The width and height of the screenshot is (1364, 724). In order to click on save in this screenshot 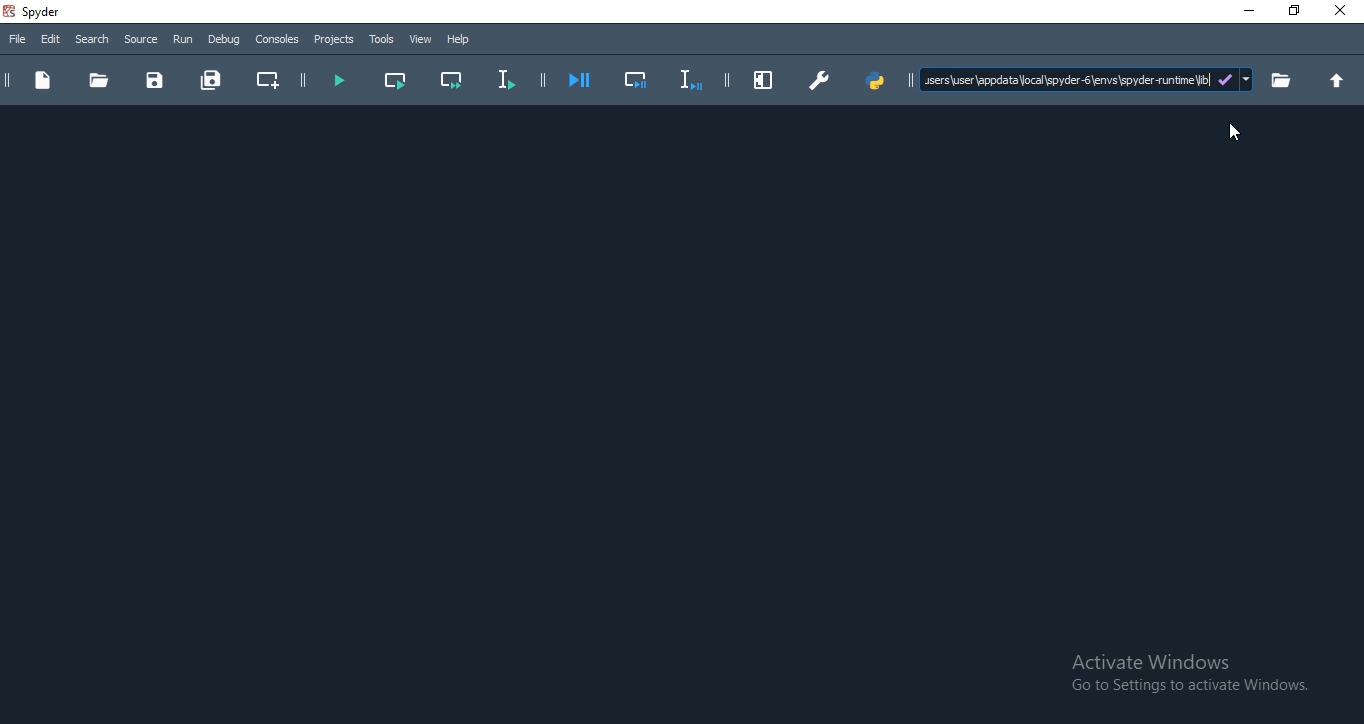, I will do `click(156, 81)`.